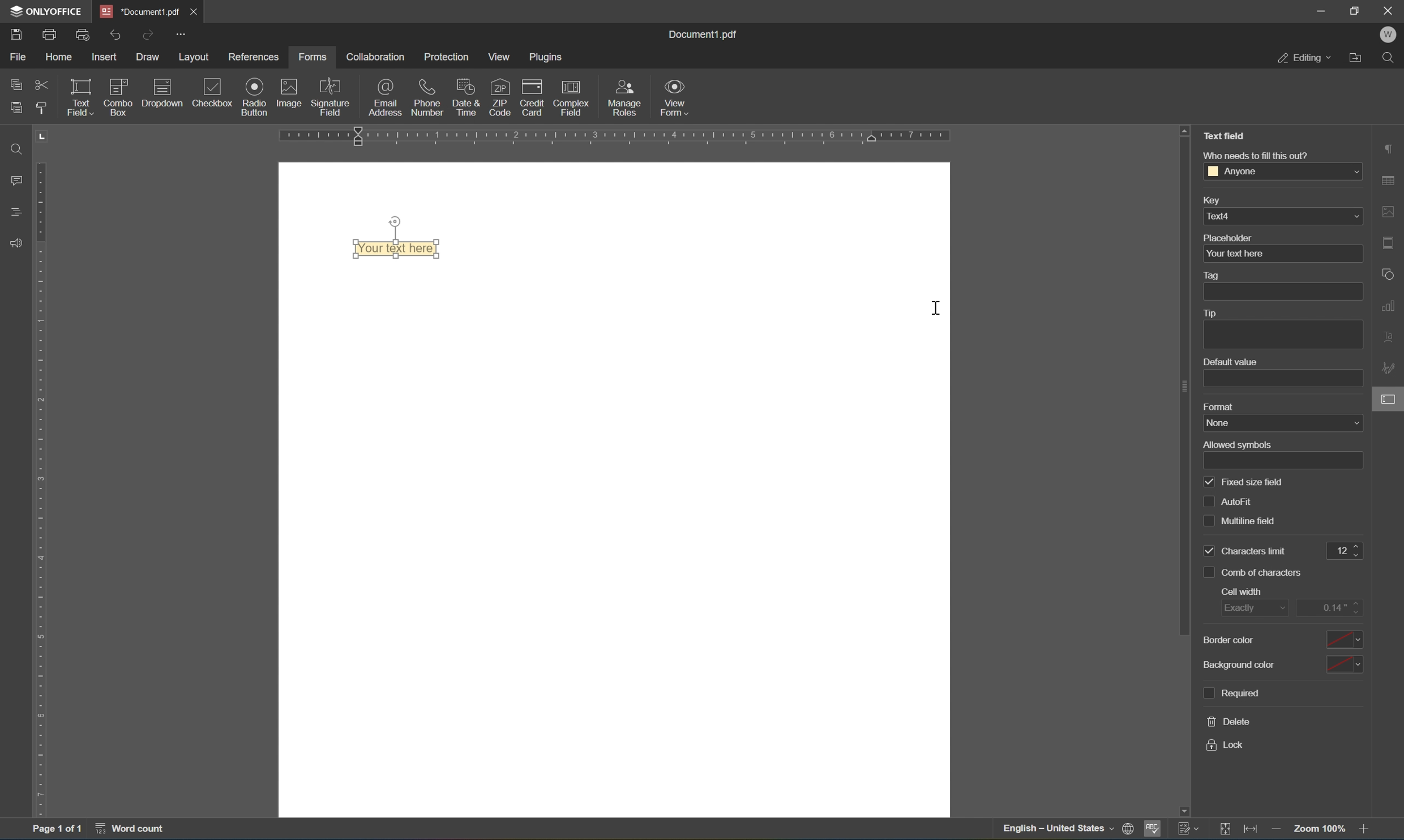 The width and height of the screenshot is (1404, 840). I want to click on checkbox, so click(1212, 483).